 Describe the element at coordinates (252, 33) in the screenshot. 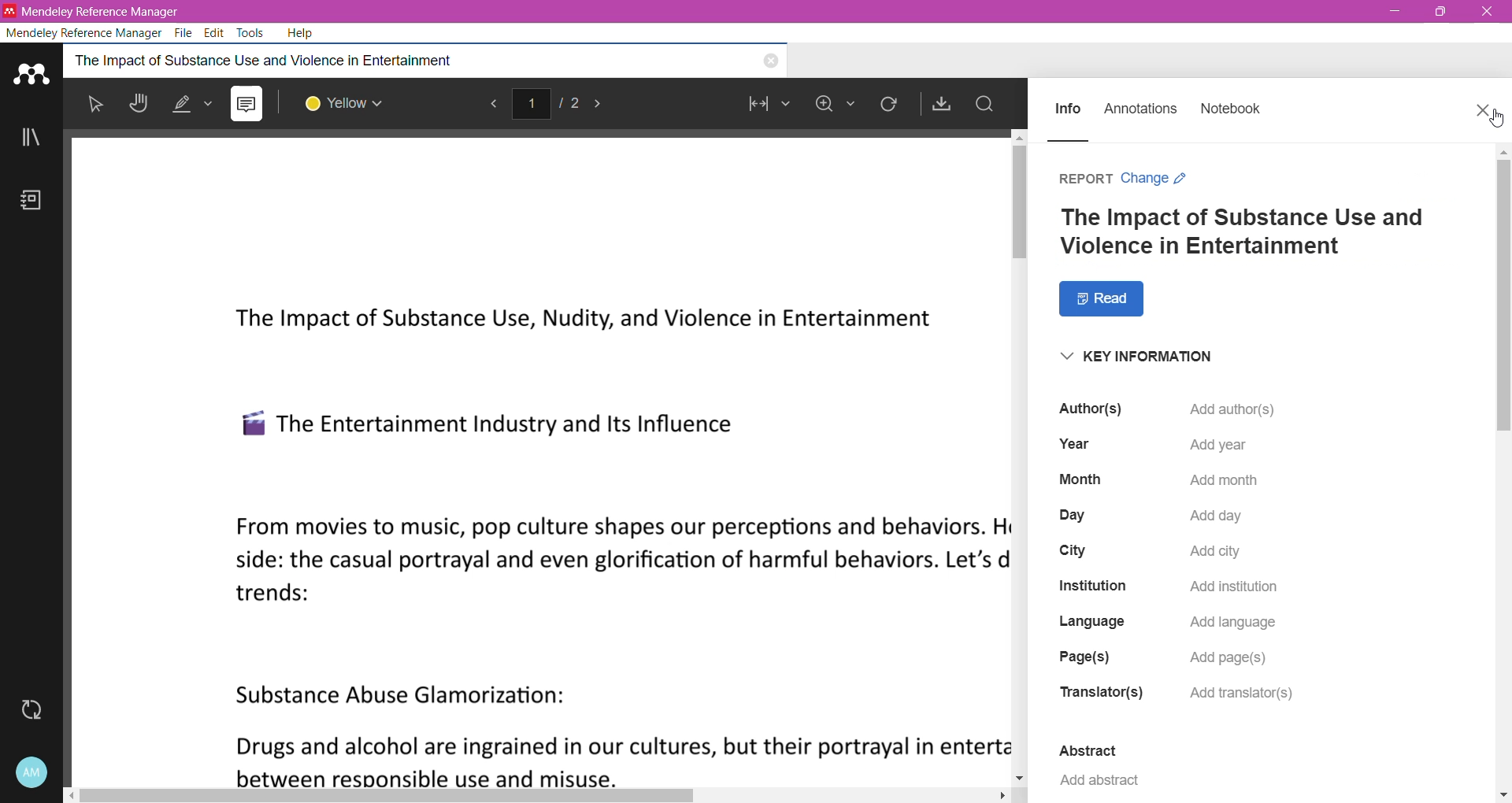

I see `Tools` at that location.